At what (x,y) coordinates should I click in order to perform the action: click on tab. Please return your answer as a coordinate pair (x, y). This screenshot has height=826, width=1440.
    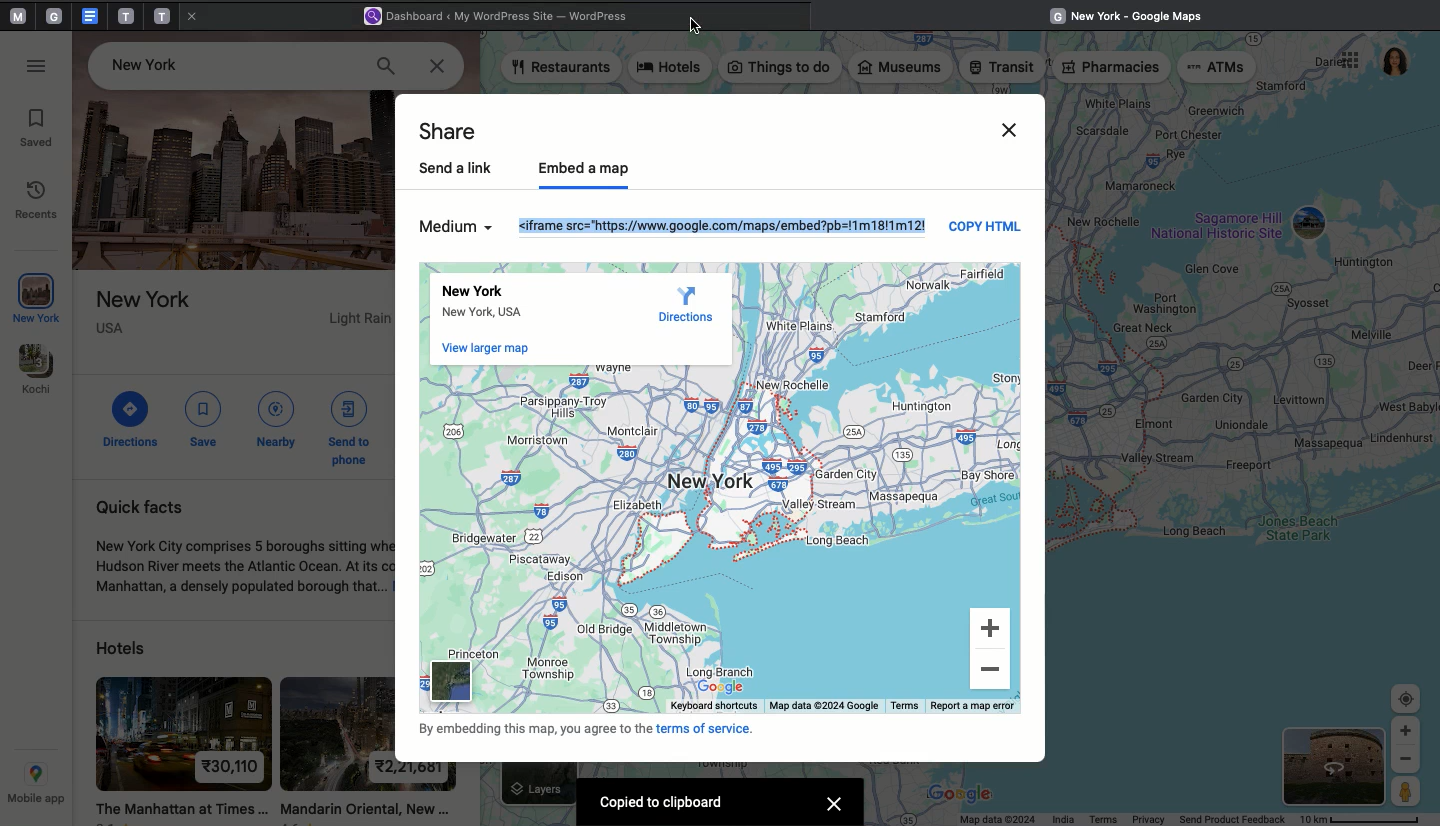
    Looking at the image, I should click on (57, 16).